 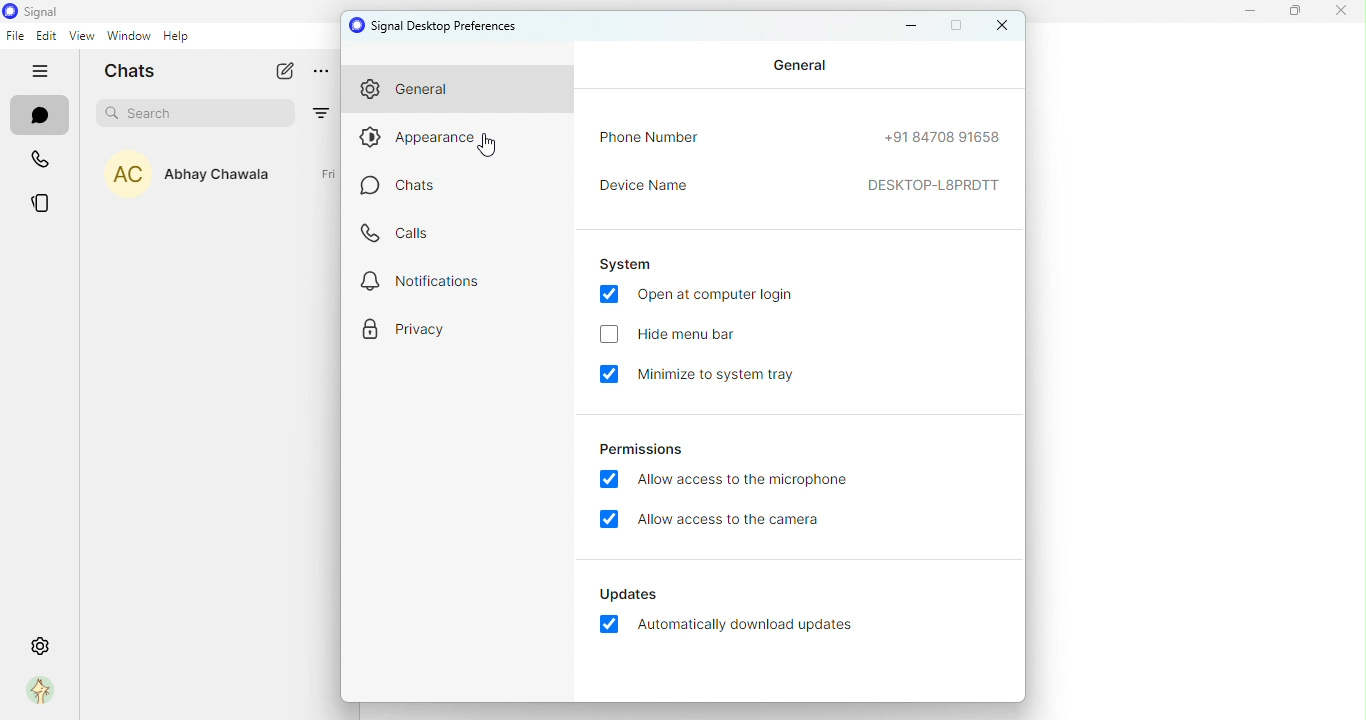 I want to click on minimize, so click(x=913, y=26).